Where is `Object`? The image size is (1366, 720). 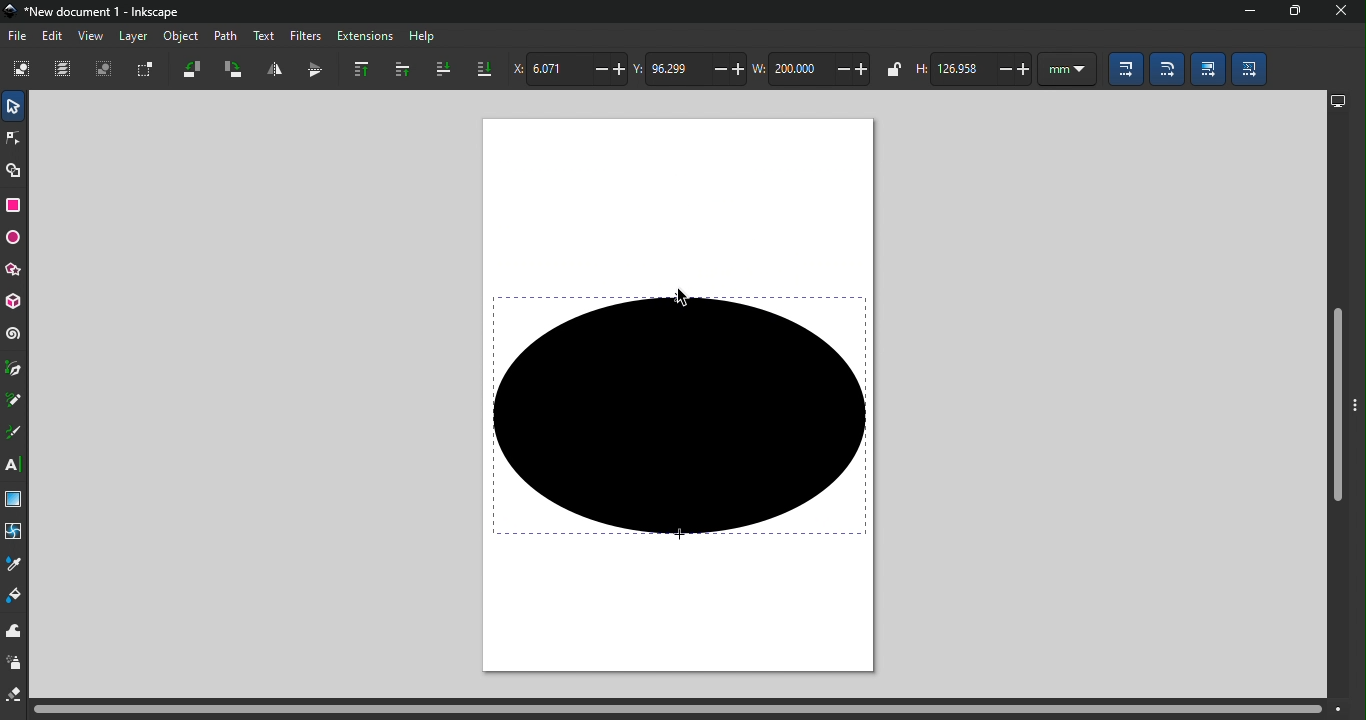
Object is located at coordinates (181, 36).